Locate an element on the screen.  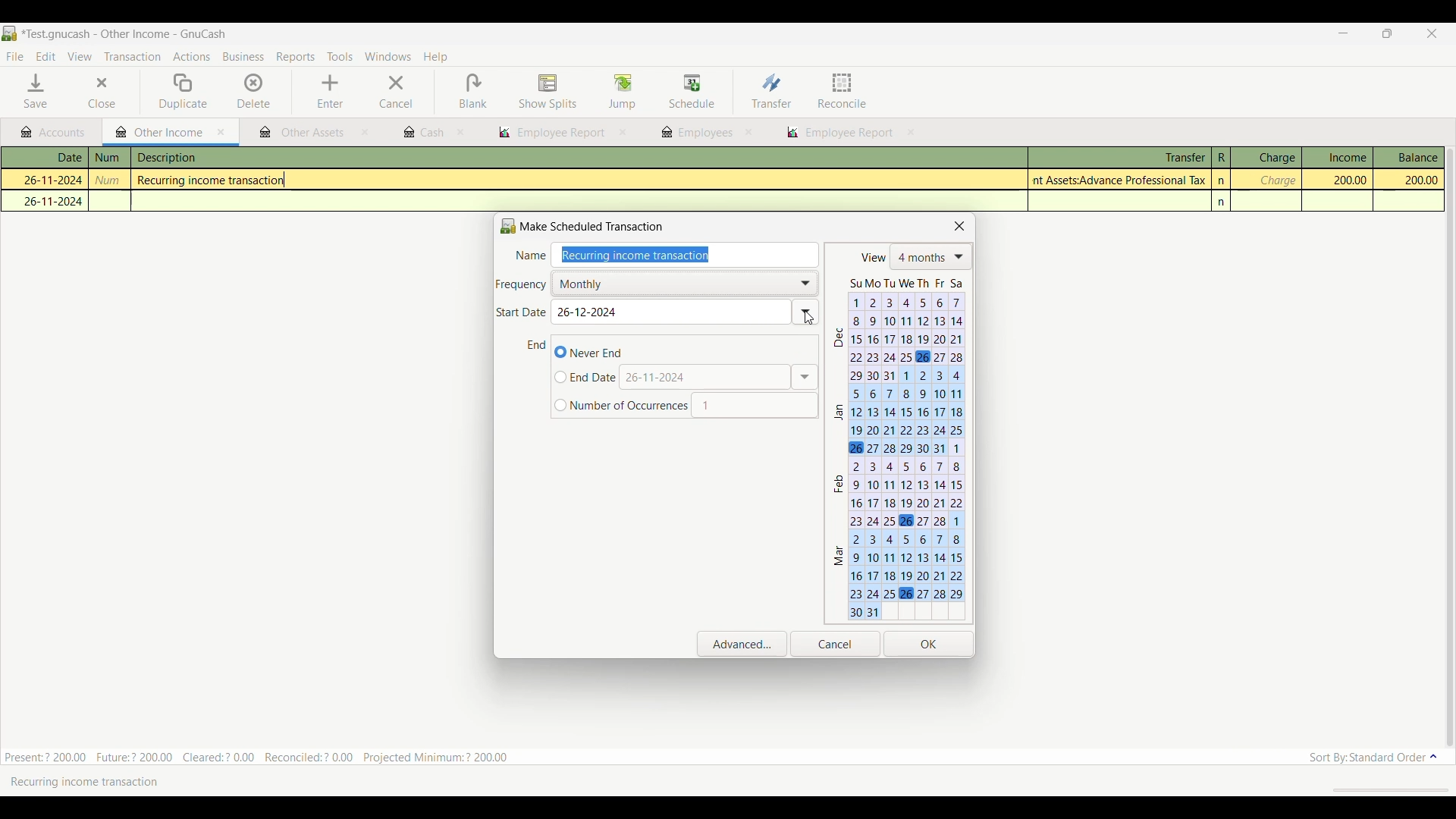
Close is located at coordinates (91, 93).